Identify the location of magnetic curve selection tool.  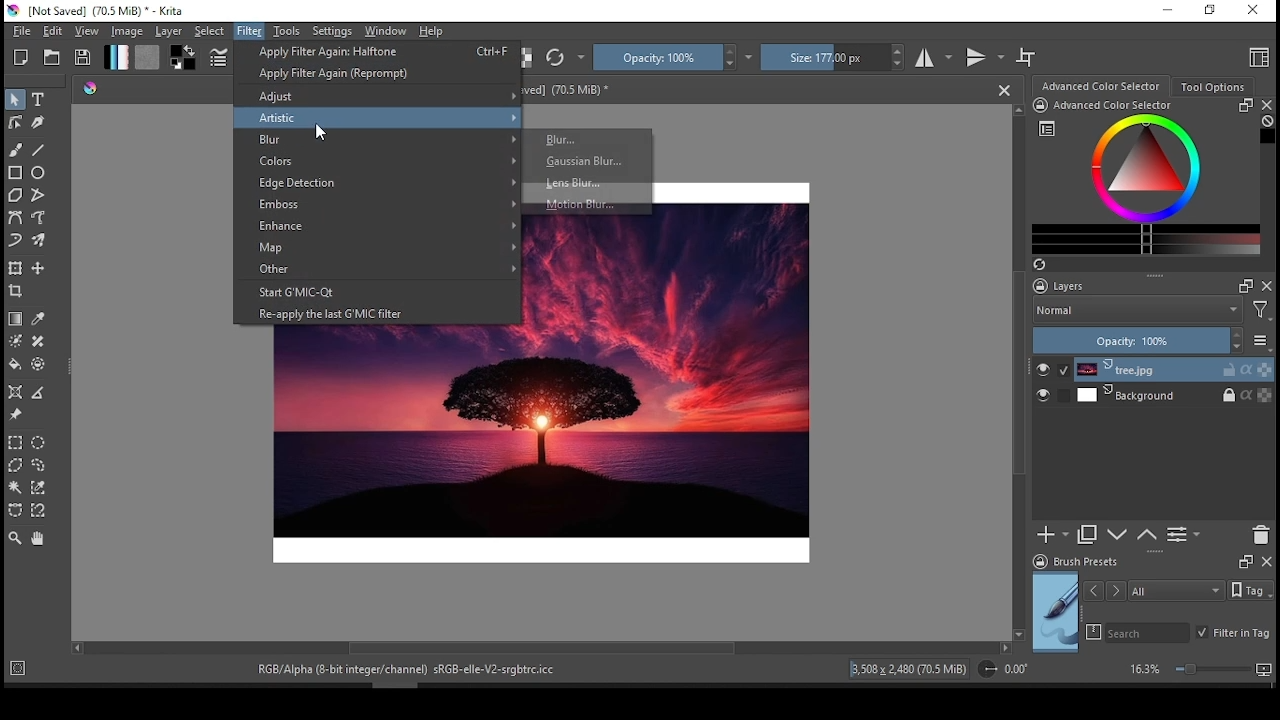
(40, 511).